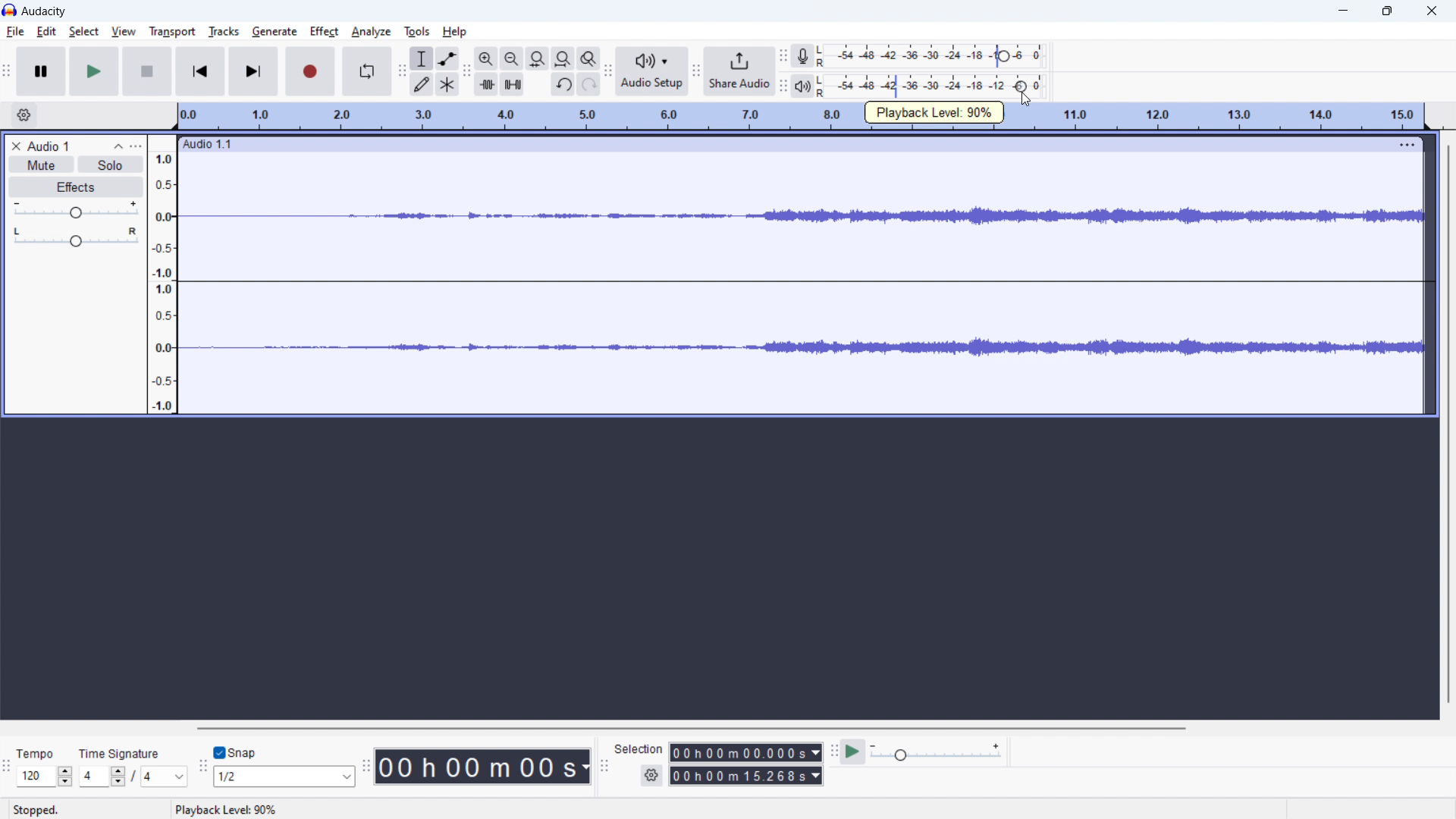 The height and width of the screenshot is (819, 1456). Describe the element at coordinates (225, 809) in the screenshot. I see `status` at that location.